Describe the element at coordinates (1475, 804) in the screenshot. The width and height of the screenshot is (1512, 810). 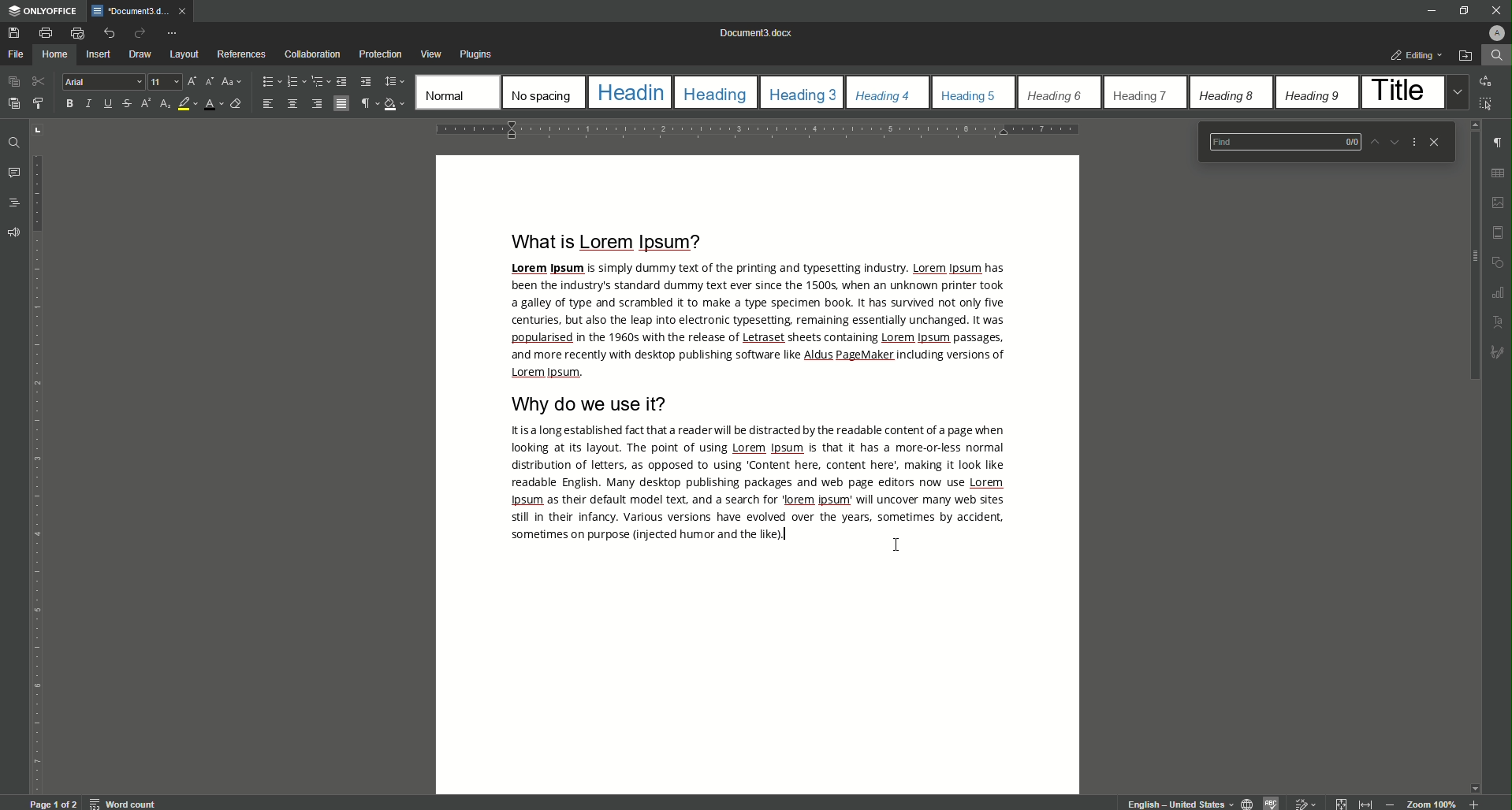
I see `Zoom in` at that location.